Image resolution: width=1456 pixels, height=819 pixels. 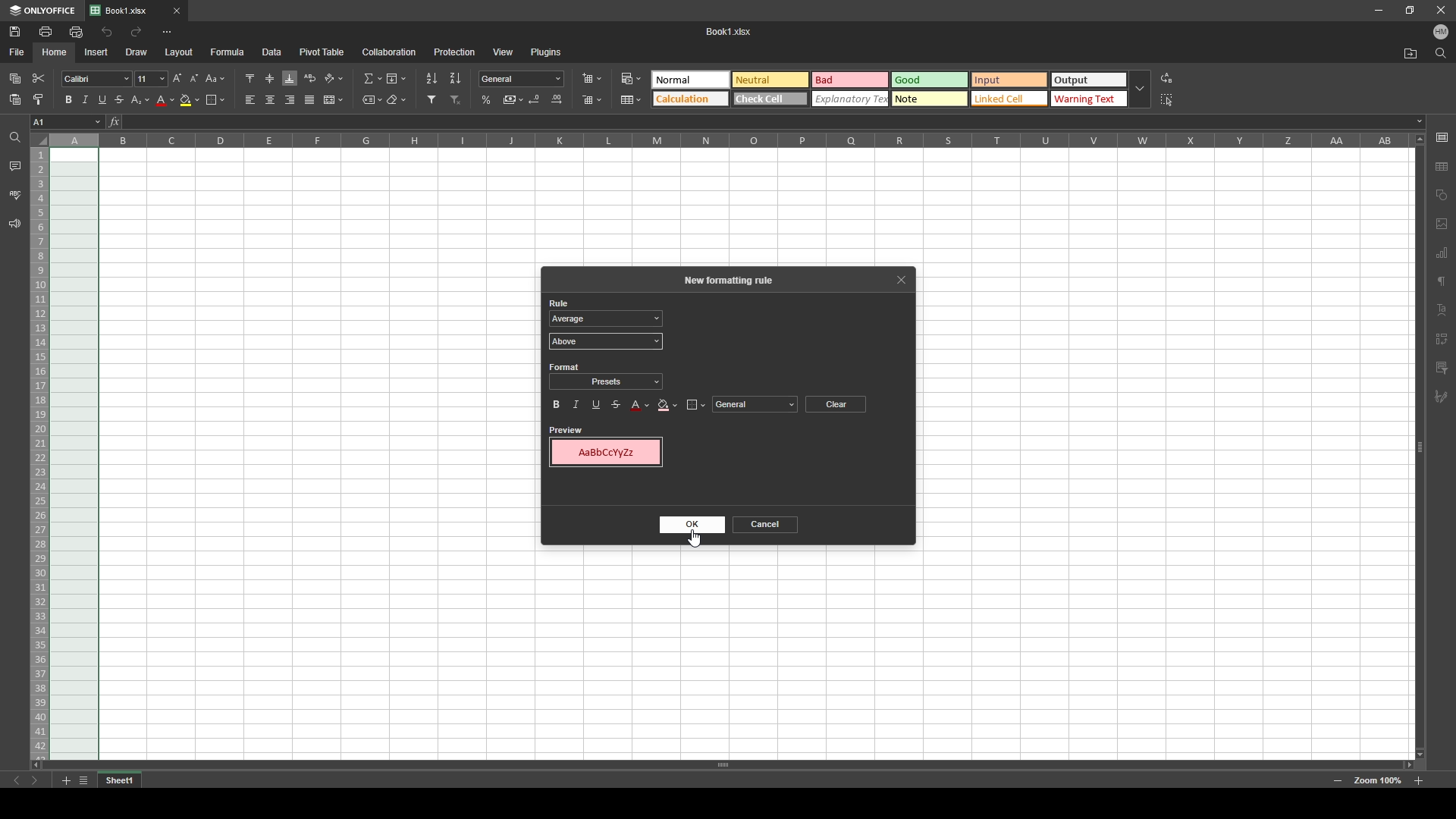 I want to click on profile, so click(x=1441, y=33).